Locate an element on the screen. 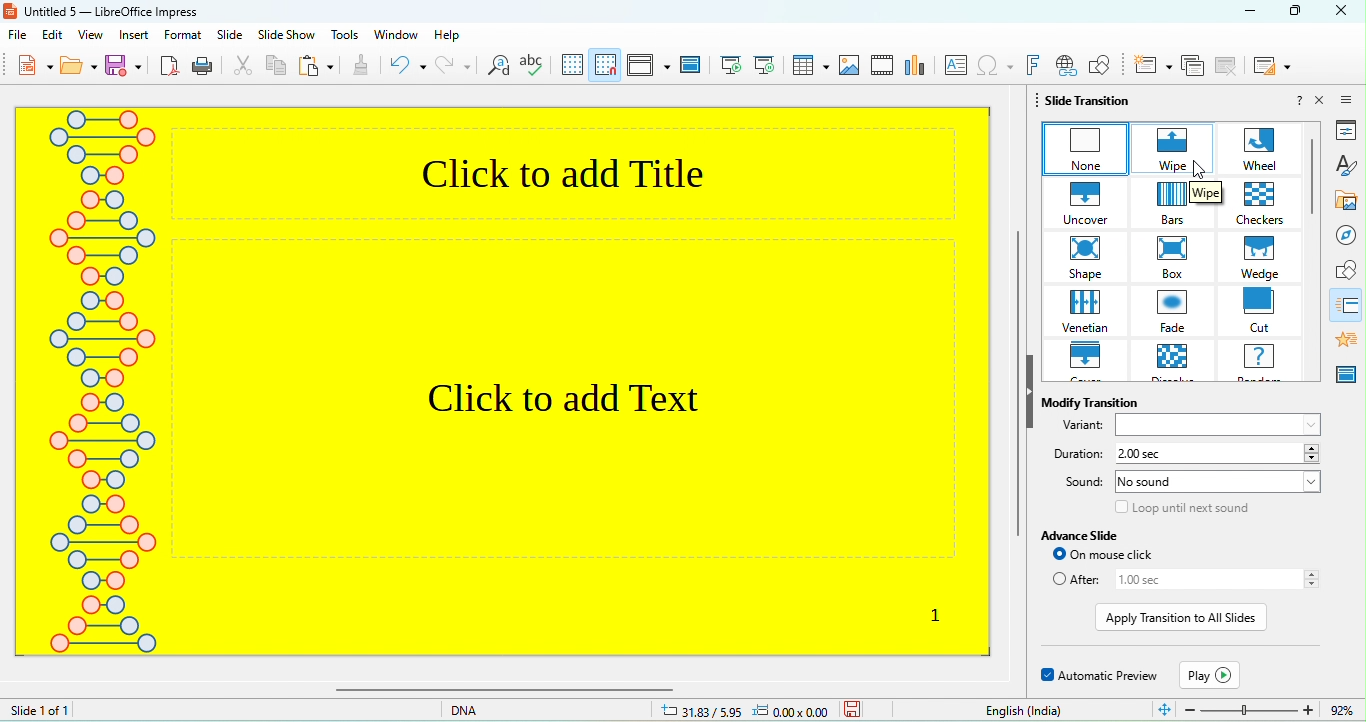  display grid is located at coordinates (572, 66).